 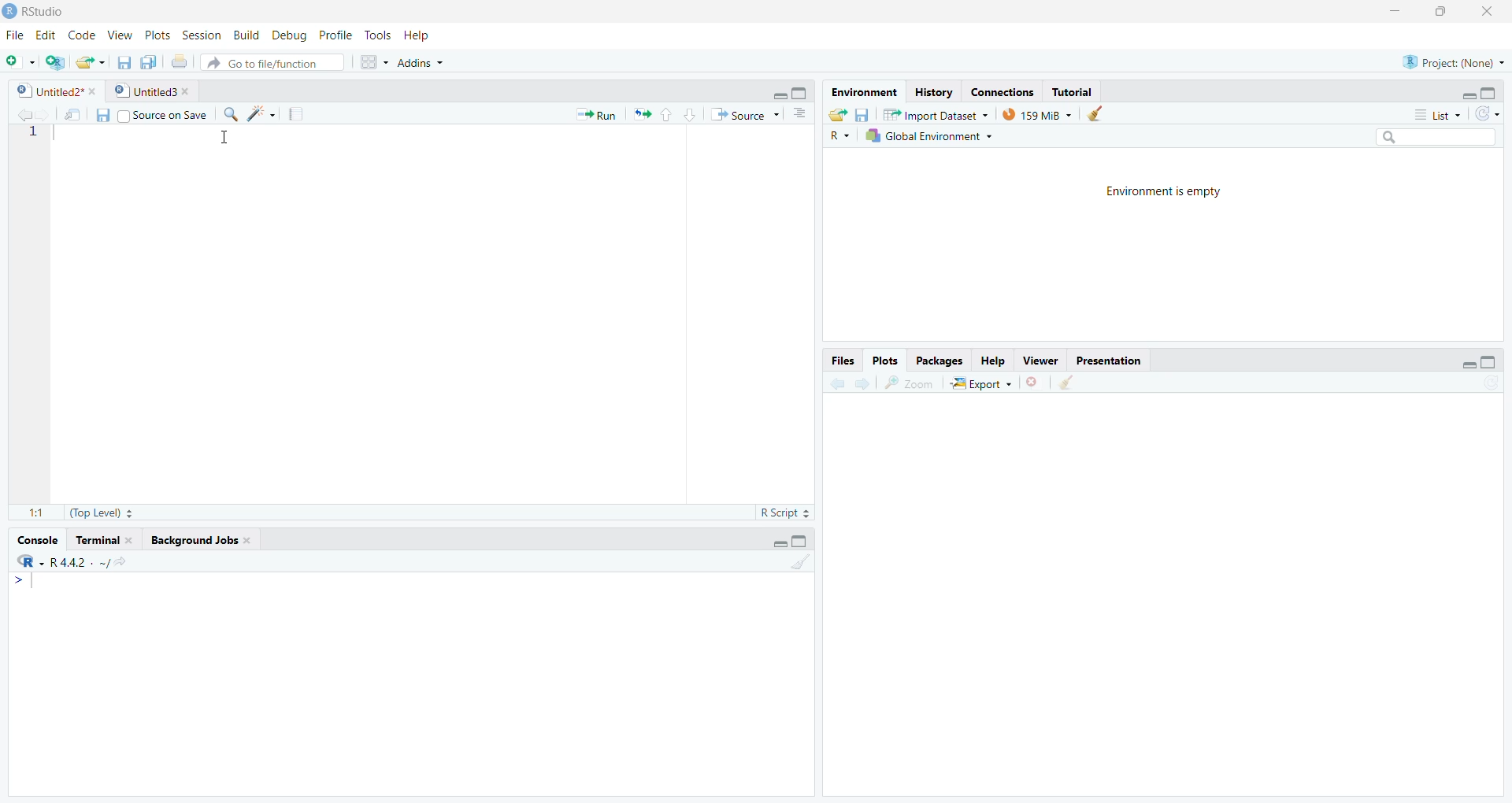 I want to click on Profile, so click(x=335, y=35).